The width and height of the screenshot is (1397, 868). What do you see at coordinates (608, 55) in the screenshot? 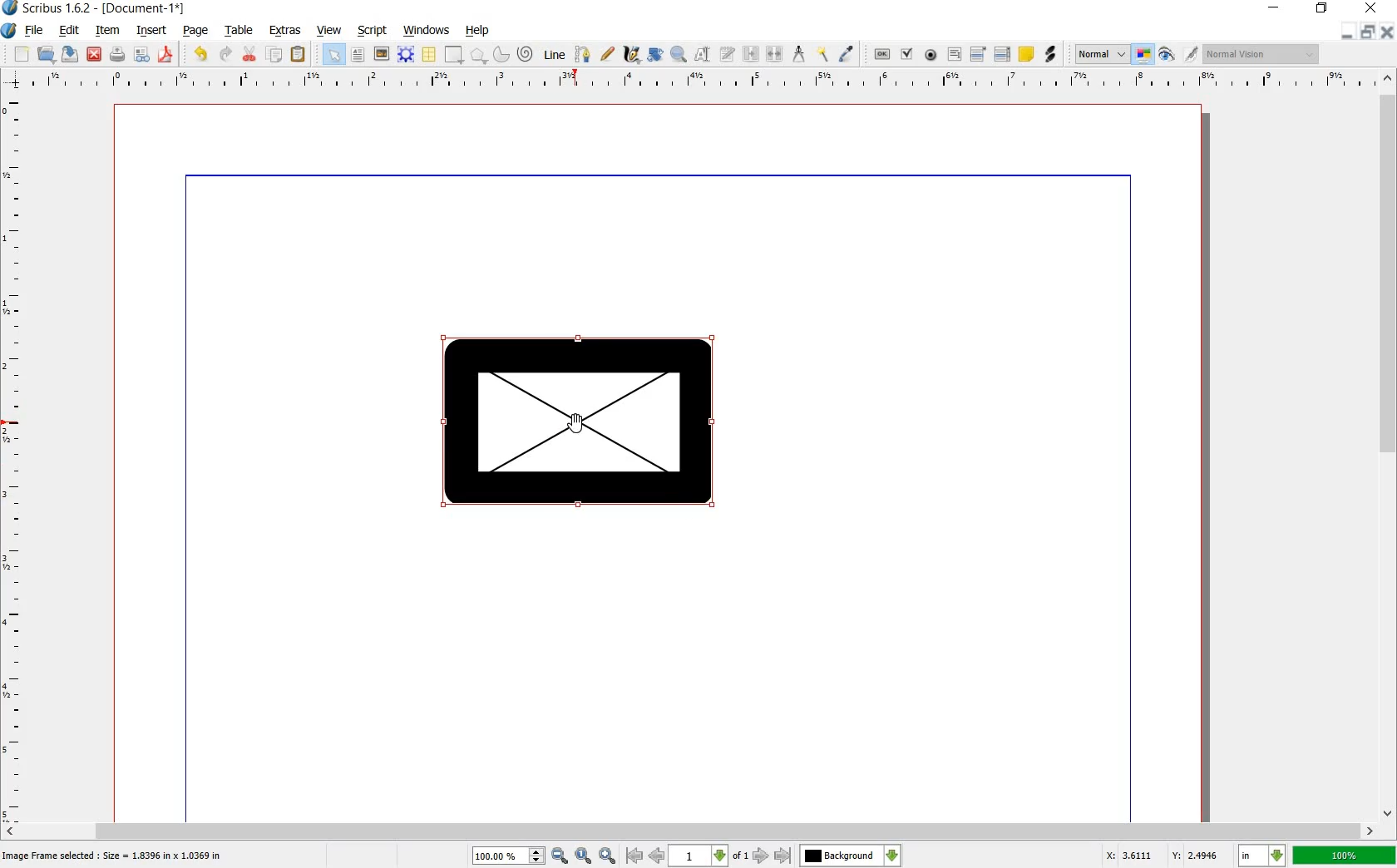
I see `freehand line` at bounding box center [608, 55].